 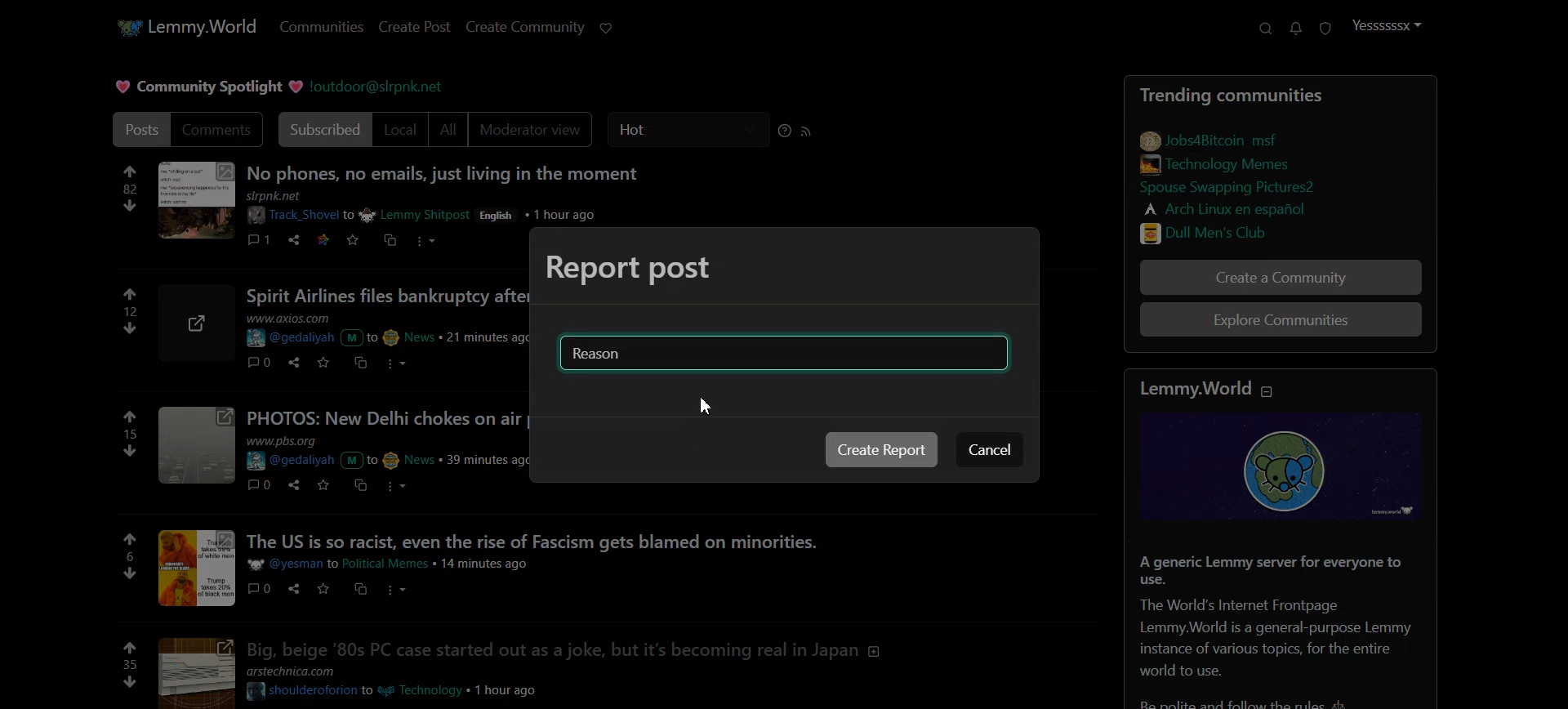 What do you see at coordinates (136, 129) in the screenshot?
I see `Post` at bounding box center [136, 129].